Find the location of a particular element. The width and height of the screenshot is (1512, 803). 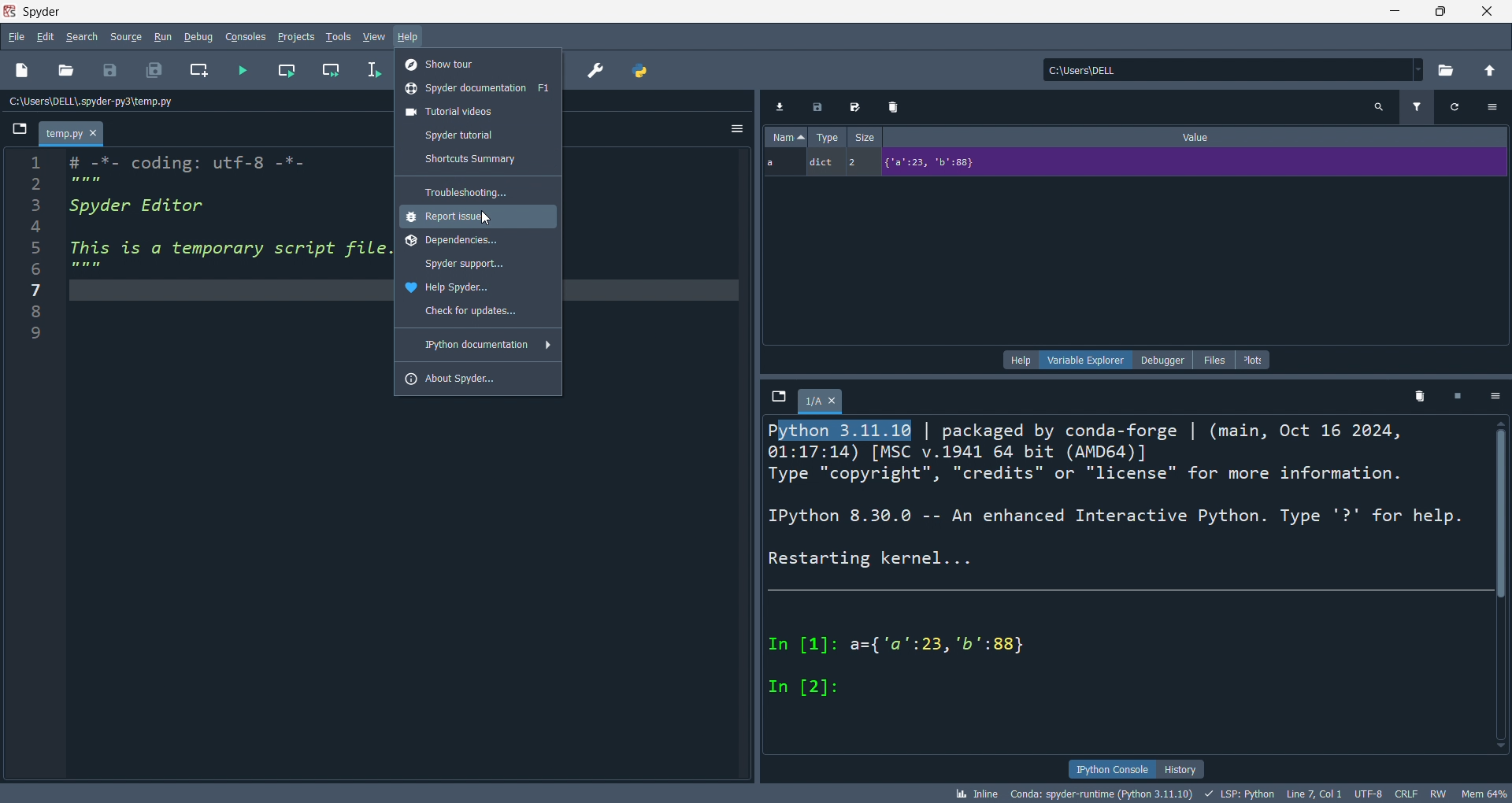

Size is located at coordinates (865, 137).